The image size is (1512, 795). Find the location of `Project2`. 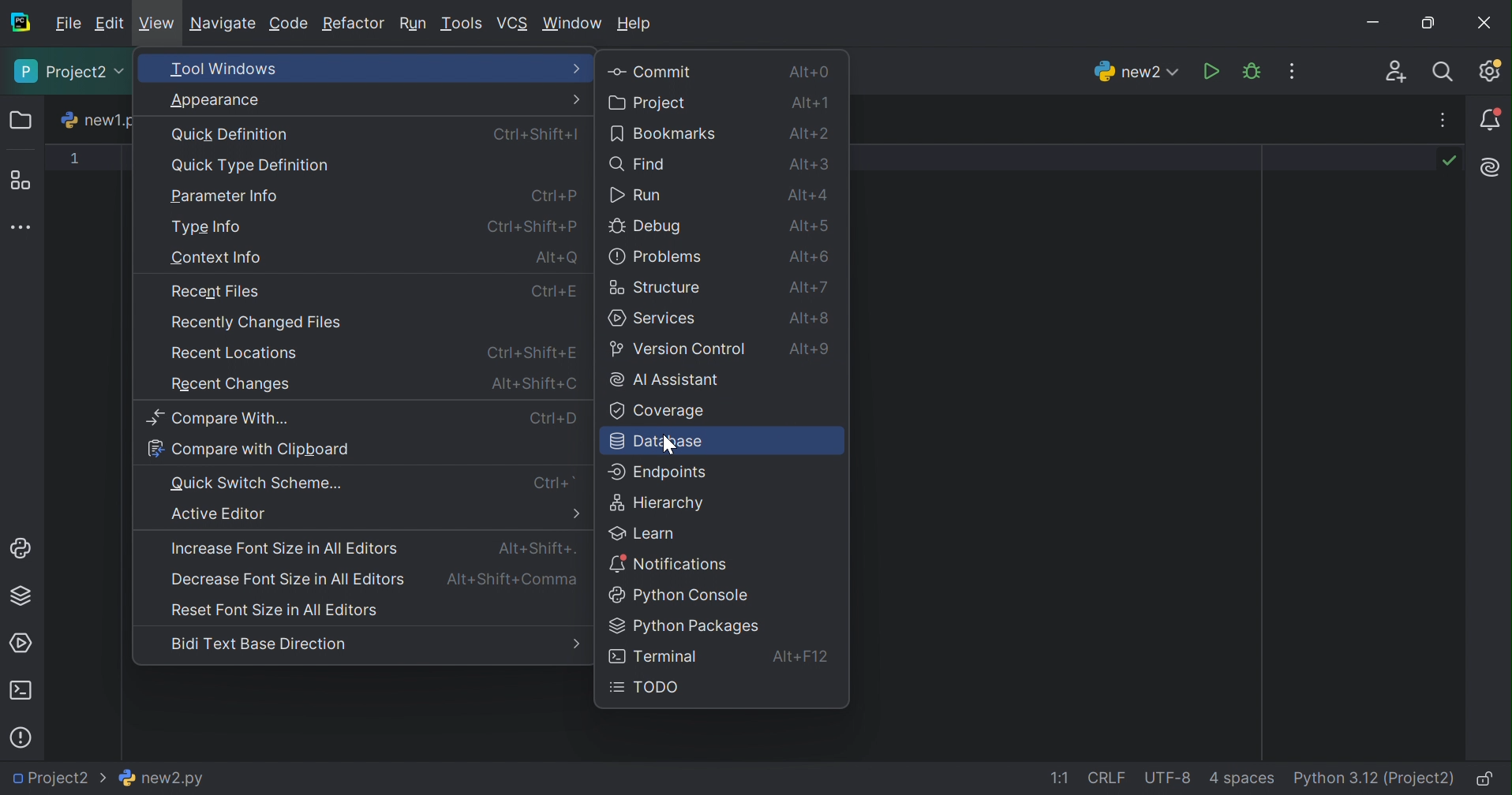

Project2 is located at coordinates (58, 778).